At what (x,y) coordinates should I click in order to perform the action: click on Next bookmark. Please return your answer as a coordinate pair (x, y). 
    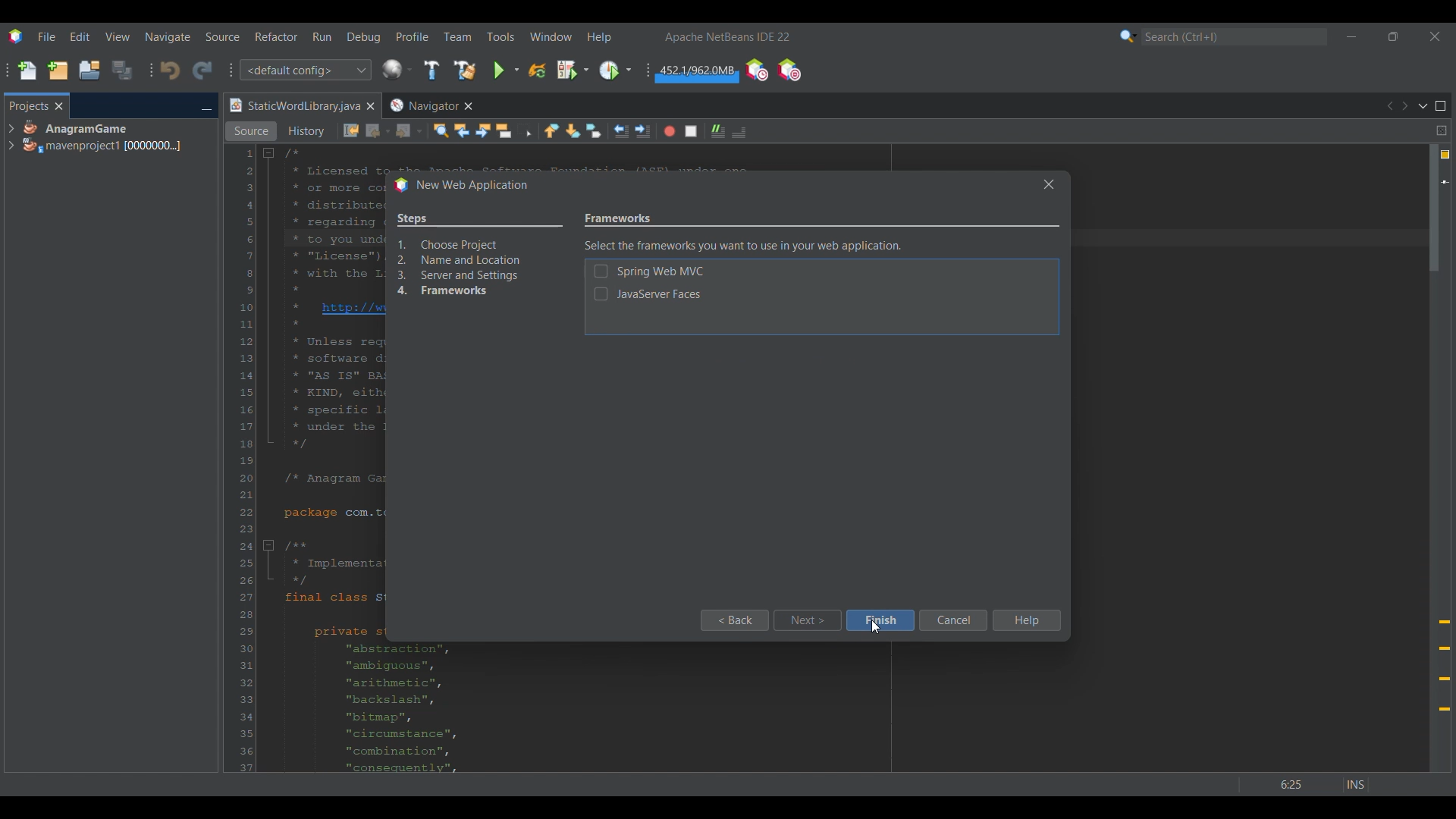
    Looking at the image, I should click on (573, 131).